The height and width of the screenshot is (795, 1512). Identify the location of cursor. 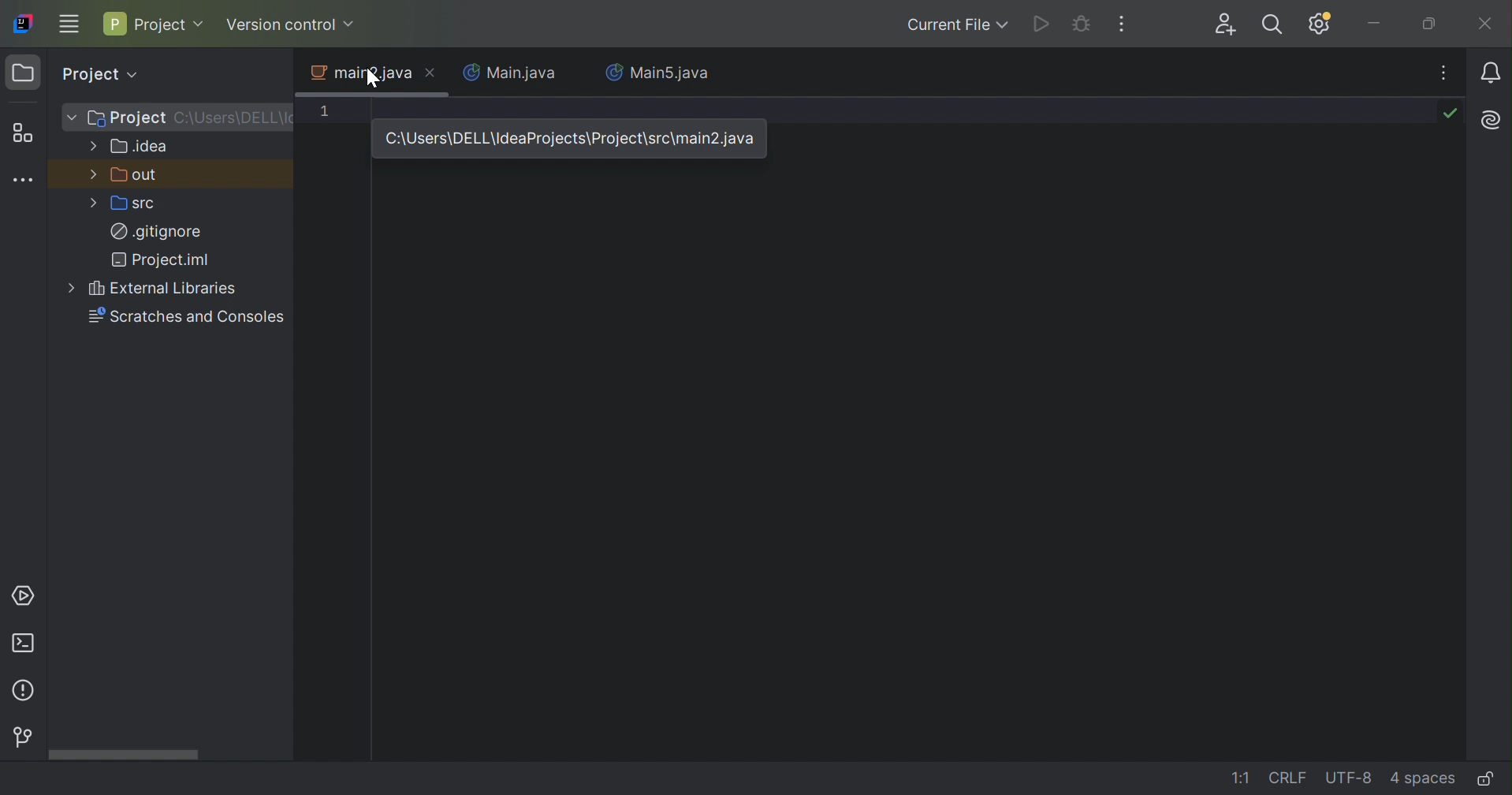
(371, 79).